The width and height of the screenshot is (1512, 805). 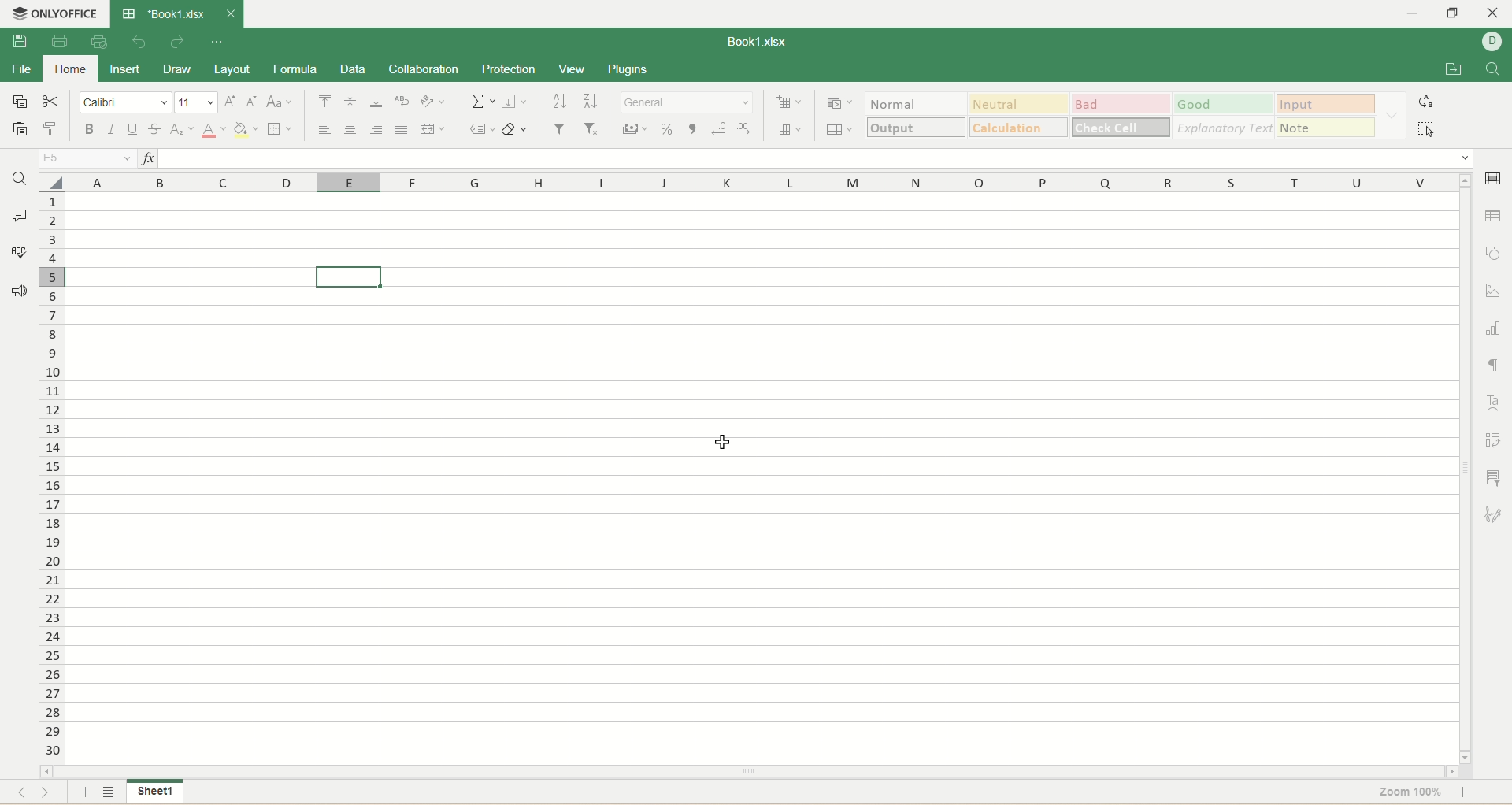 What do you see at coordinates (56, 17) in the screenshot?
I see `onlyoffice` at bounding box center [56, 17].